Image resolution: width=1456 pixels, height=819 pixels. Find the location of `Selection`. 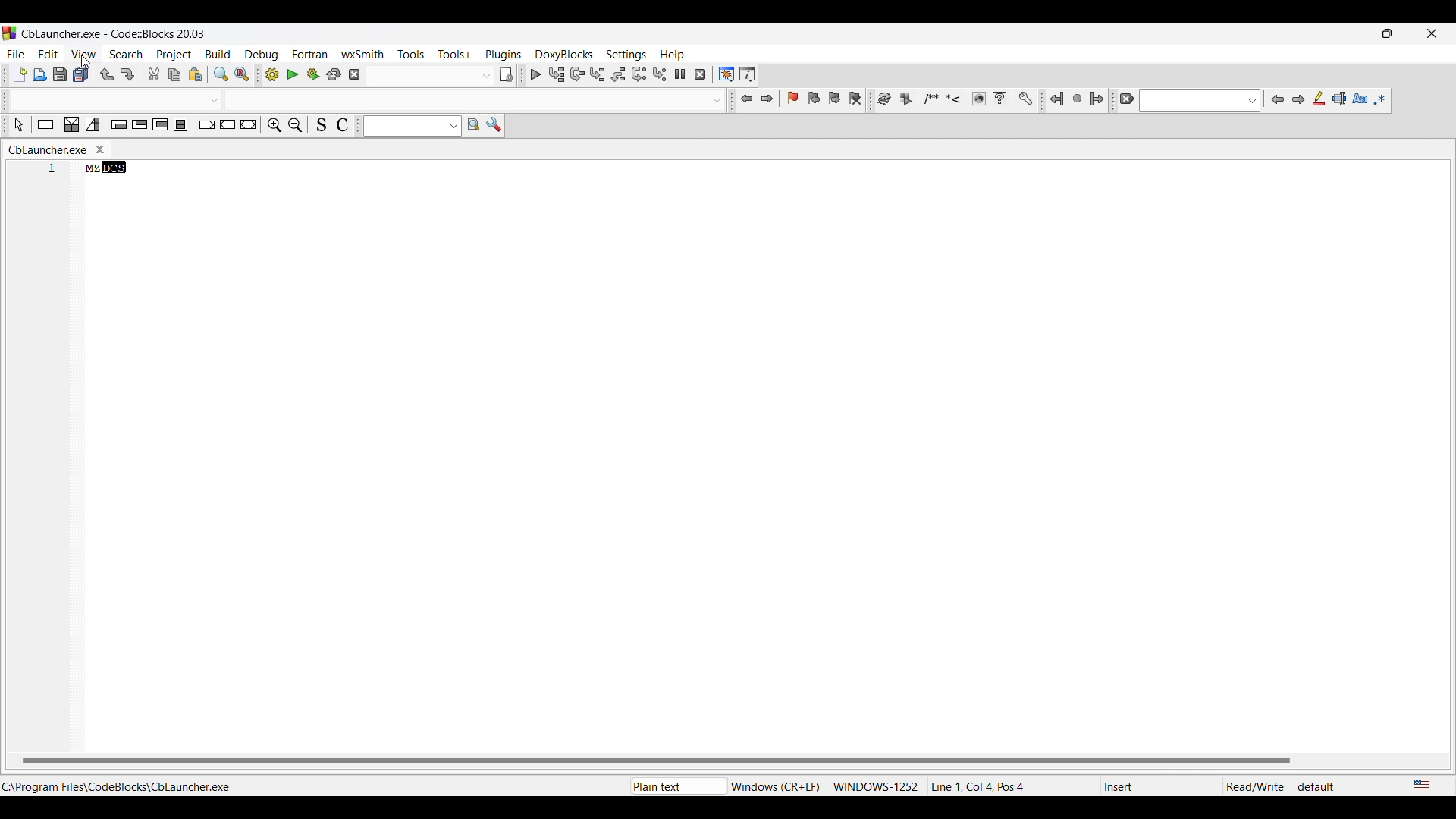

Selection is located at coordinates (93, 124).